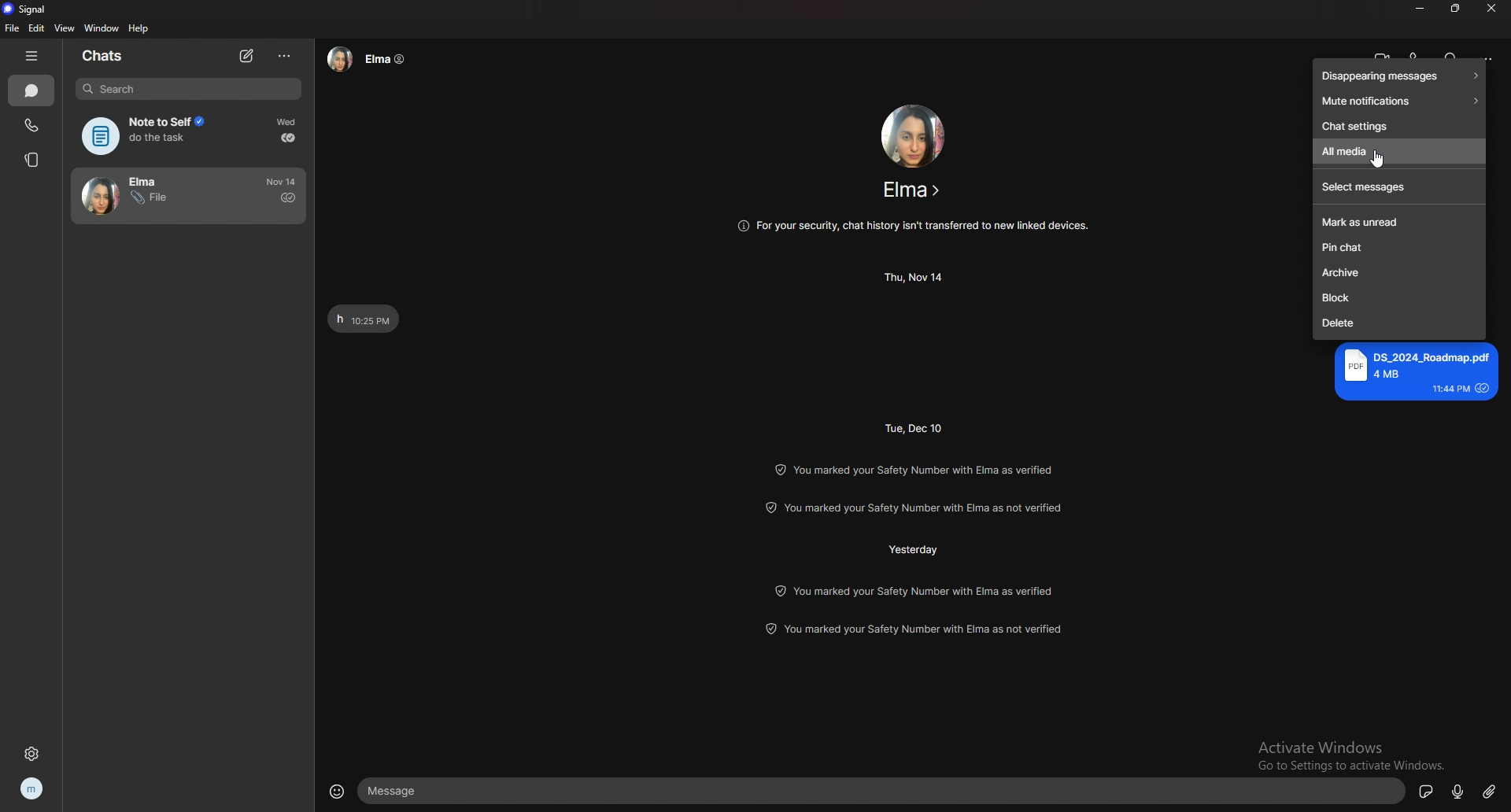 This screenshot has height=812, width=1511. Describe the element at coordinates (31, 752) in the screenshot. I see `settings` at that location.